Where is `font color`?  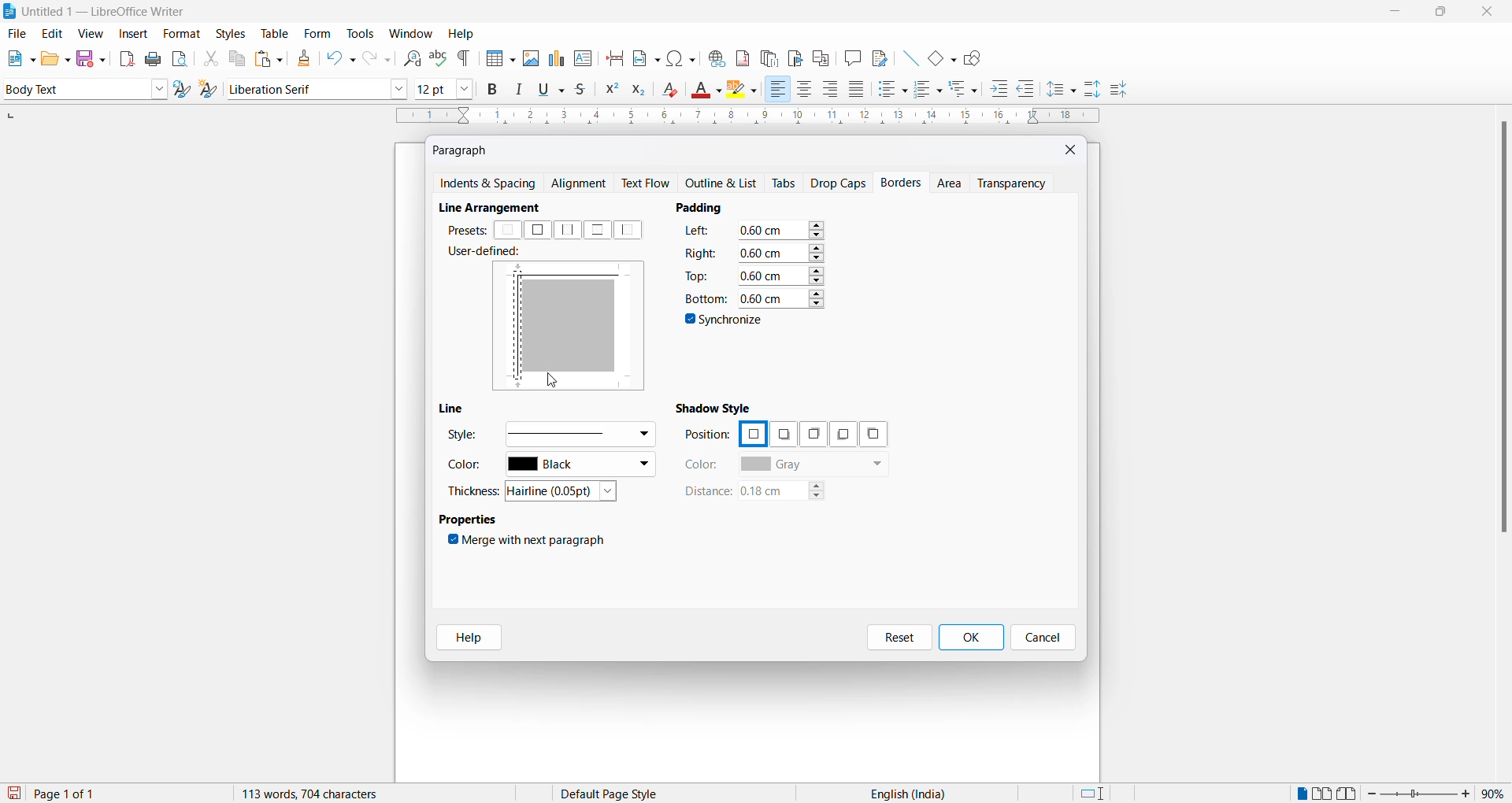
font color is located at coordinates (708, 91).